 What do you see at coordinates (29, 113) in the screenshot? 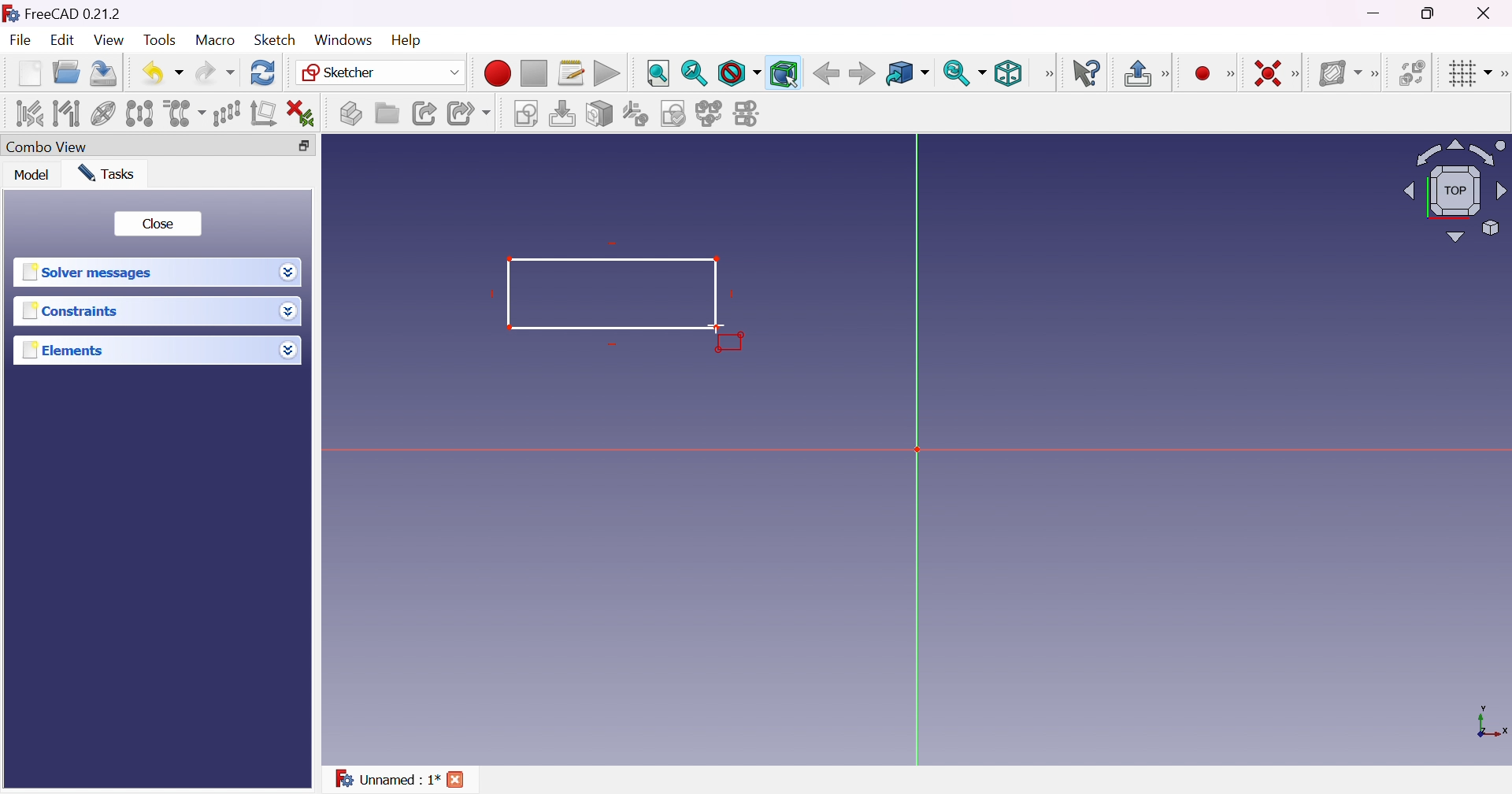
I see `Select associated constraints` at bounding box center [29, 113].